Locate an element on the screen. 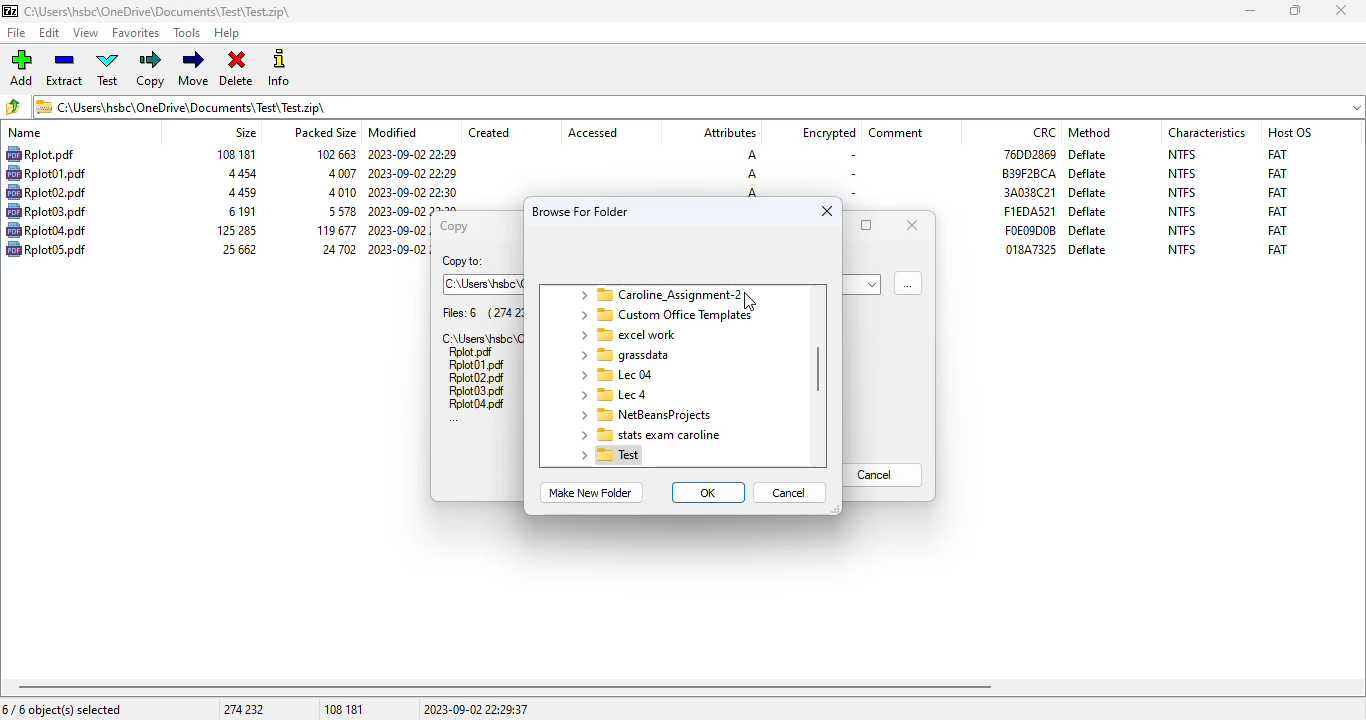 The image size is (1366, 720). packed size is located at coordinates (340, 173).